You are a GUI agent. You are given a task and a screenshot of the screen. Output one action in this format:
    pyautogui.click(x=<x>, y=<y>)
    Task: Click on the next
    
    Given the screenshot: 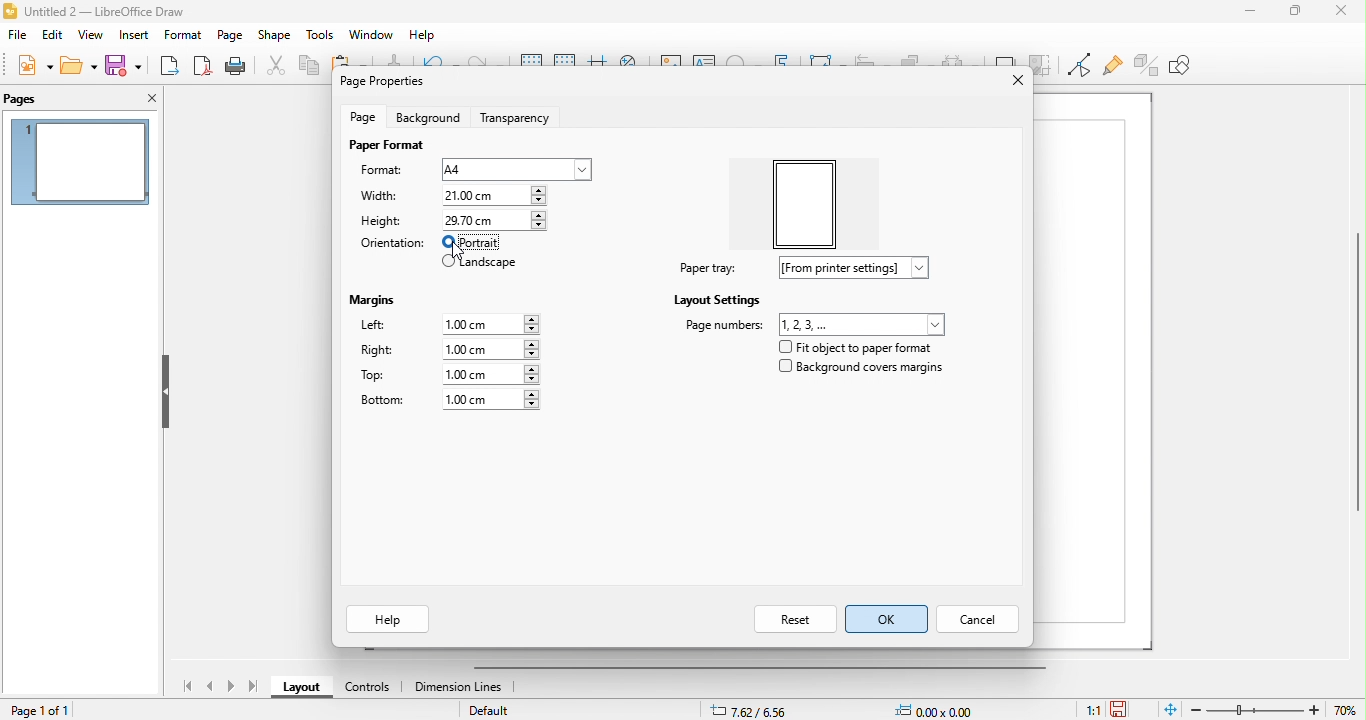 What is the action you would take?
    pyautogui.click(x=229, y=687)
    